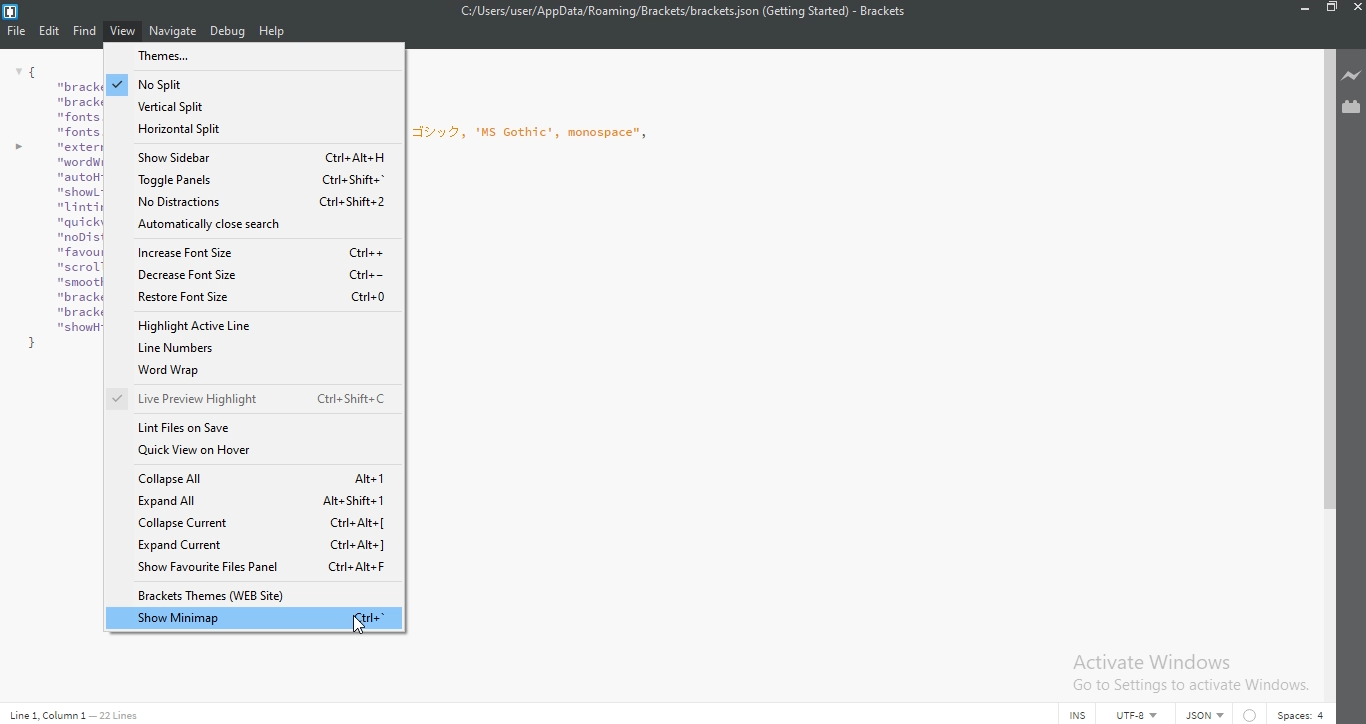 Image resolution: width=1366 pixels, height=724 pixels. I want to click on Brackets themes, so click(254, 592).